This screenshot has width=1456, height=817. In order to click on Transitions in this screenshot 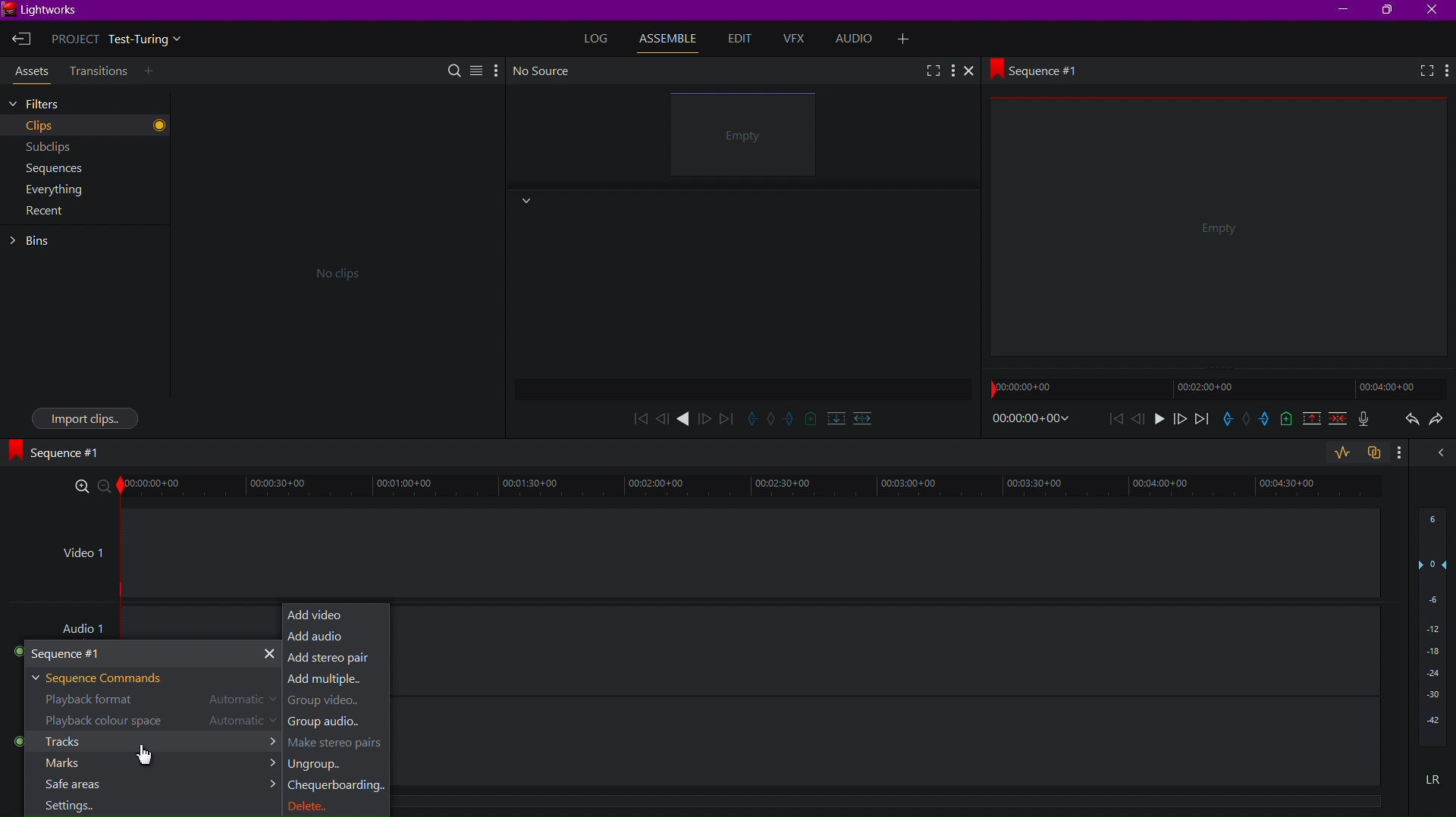, I will do `click(97, 71)`.